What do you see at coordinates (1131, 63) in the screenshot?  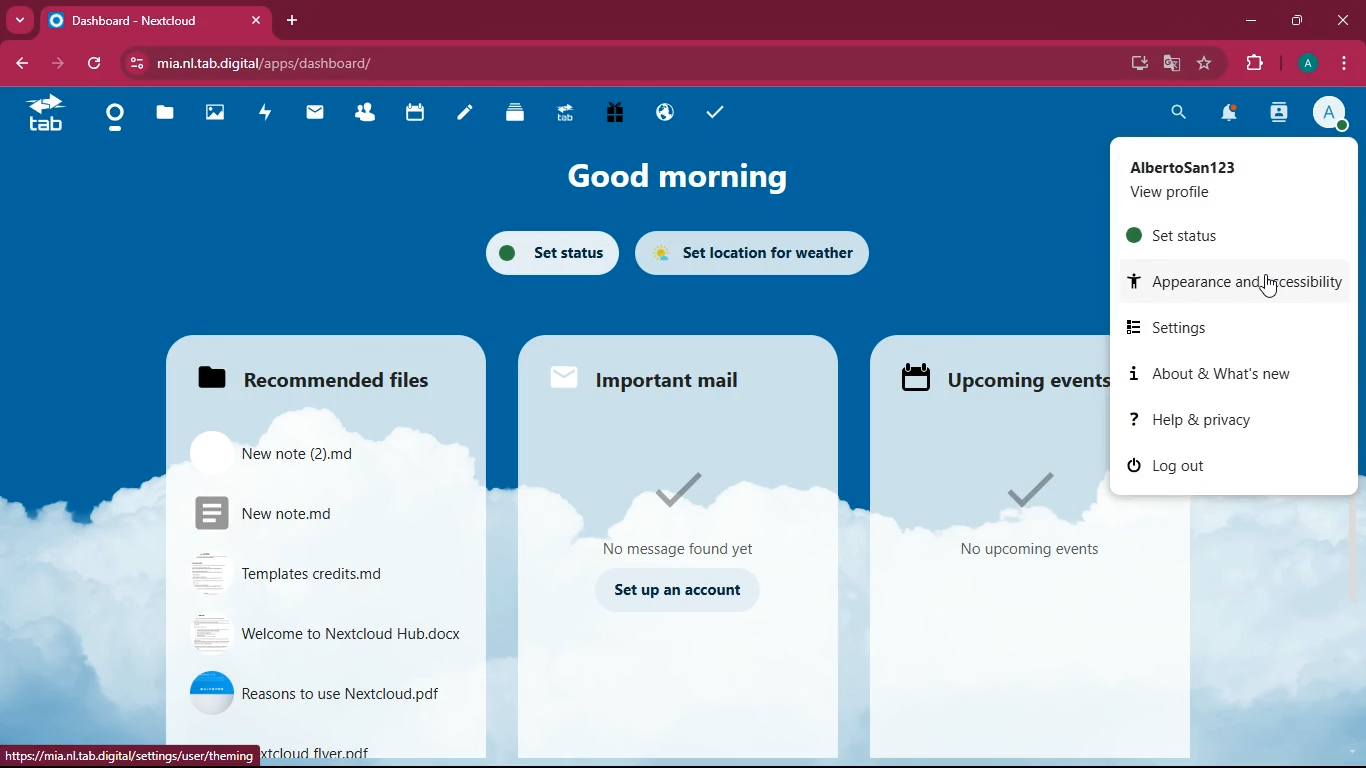 I see `desktop` at bounding box center [1131, 63].